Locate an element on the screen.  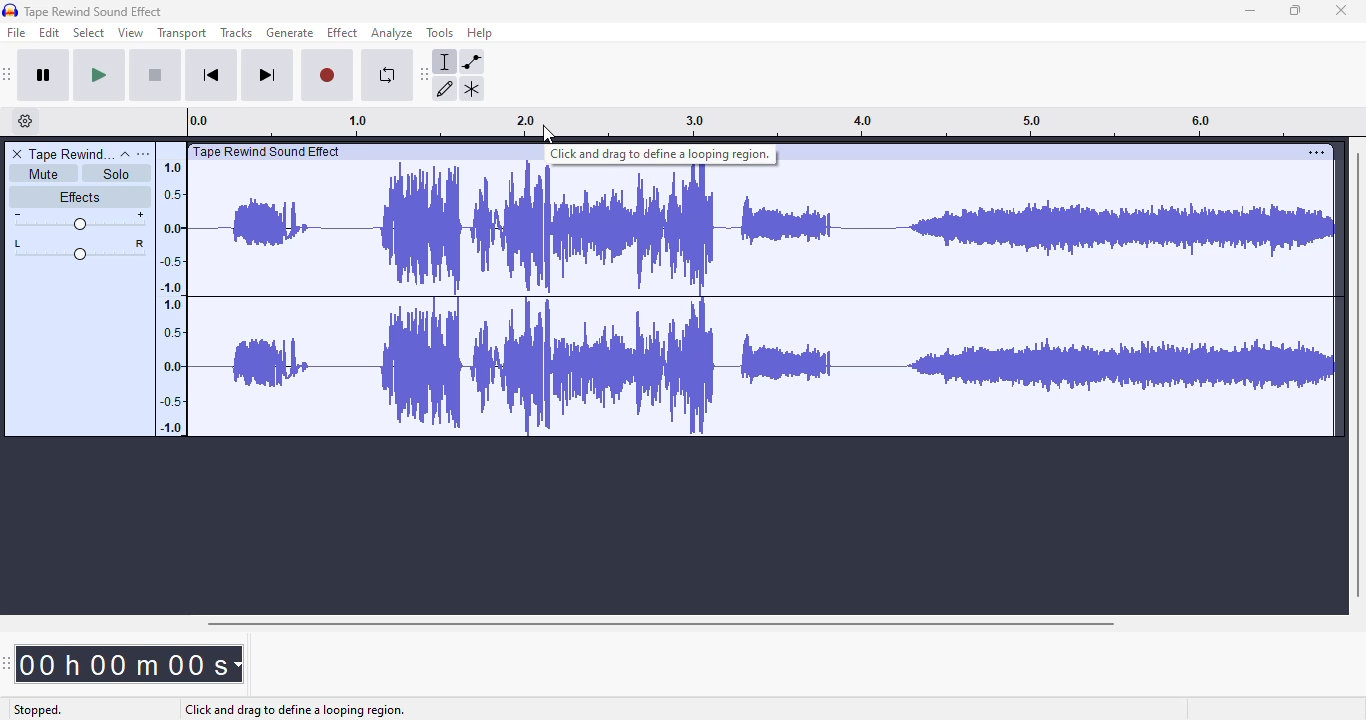
delete track is located at coordinates (17, 153).